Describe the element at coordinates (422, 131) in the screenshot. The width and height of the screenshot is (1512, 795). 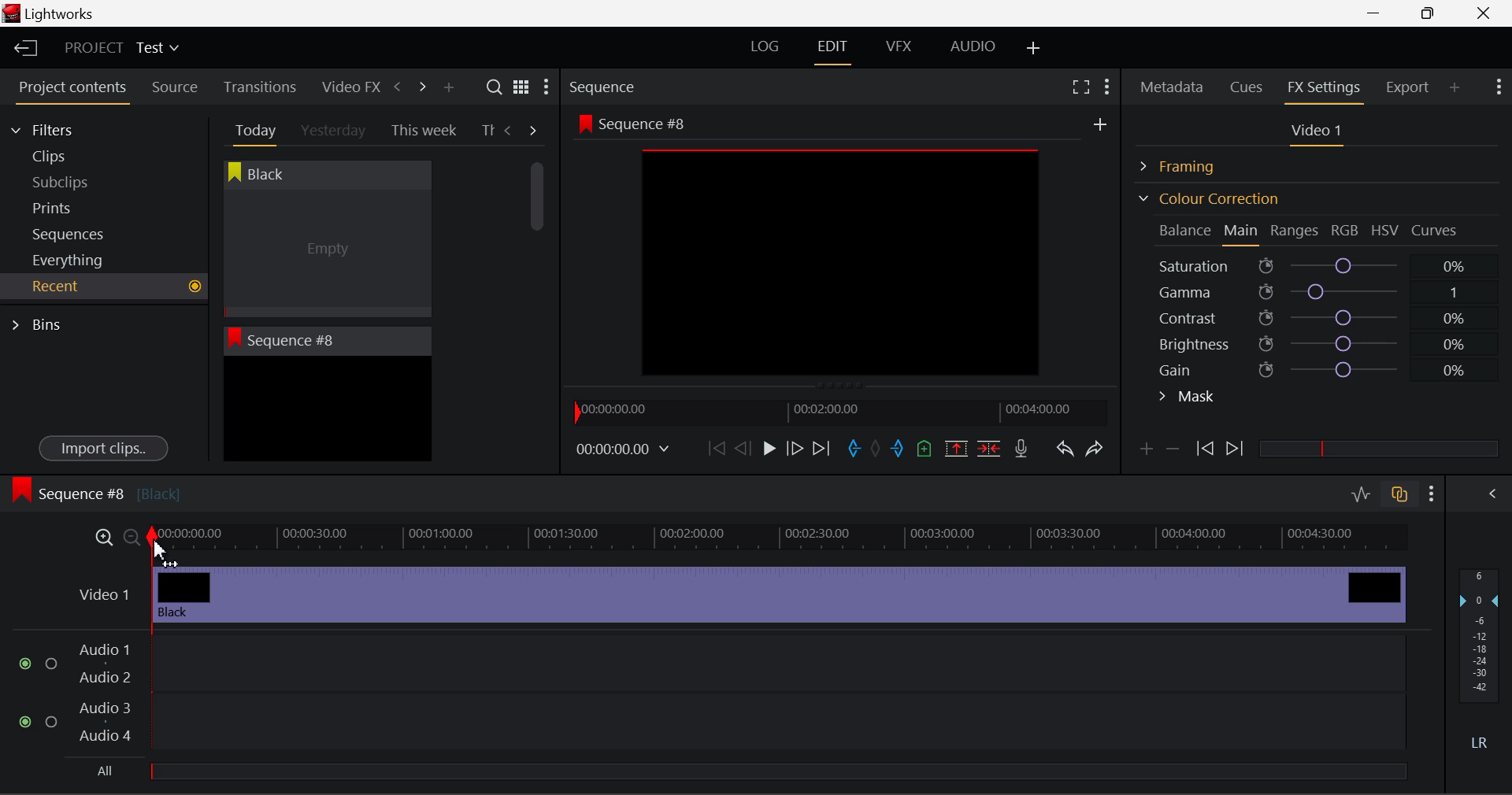
I see `This week Tab` at that location.